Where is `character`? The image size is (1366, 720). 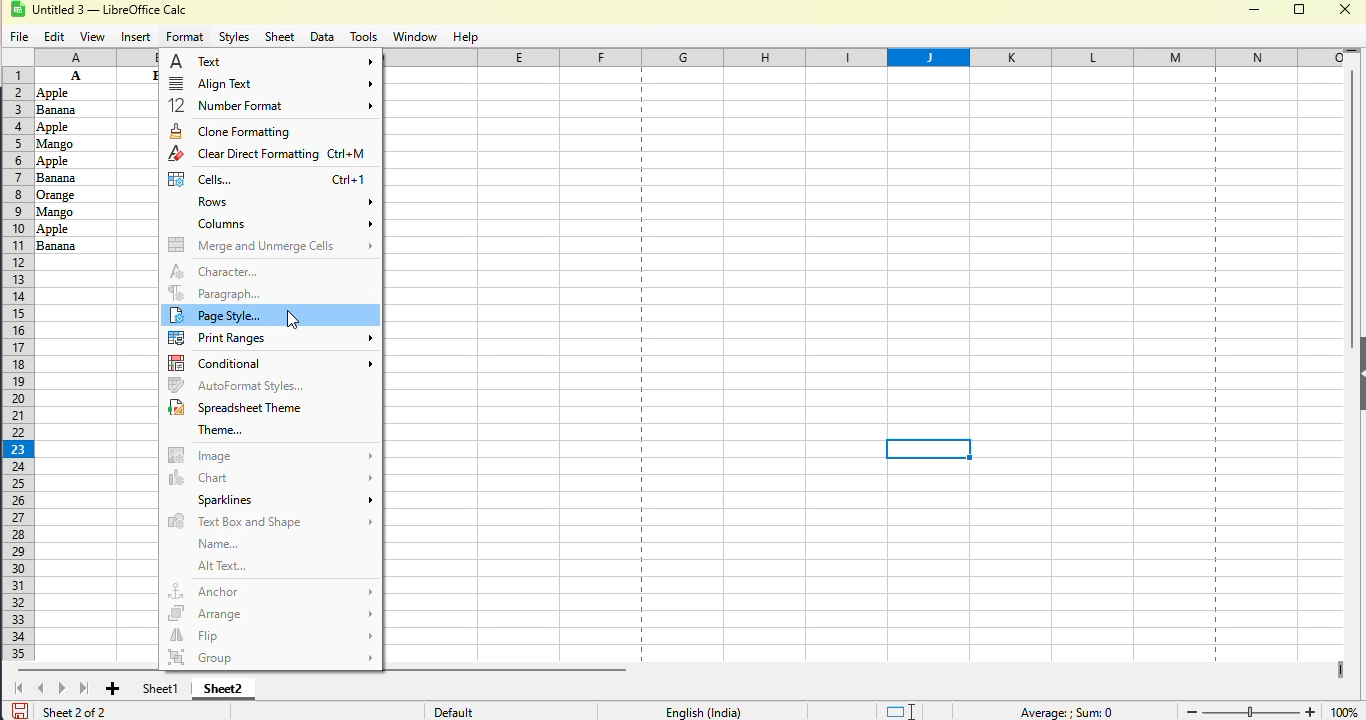
character is located at coordinates (214, 272).